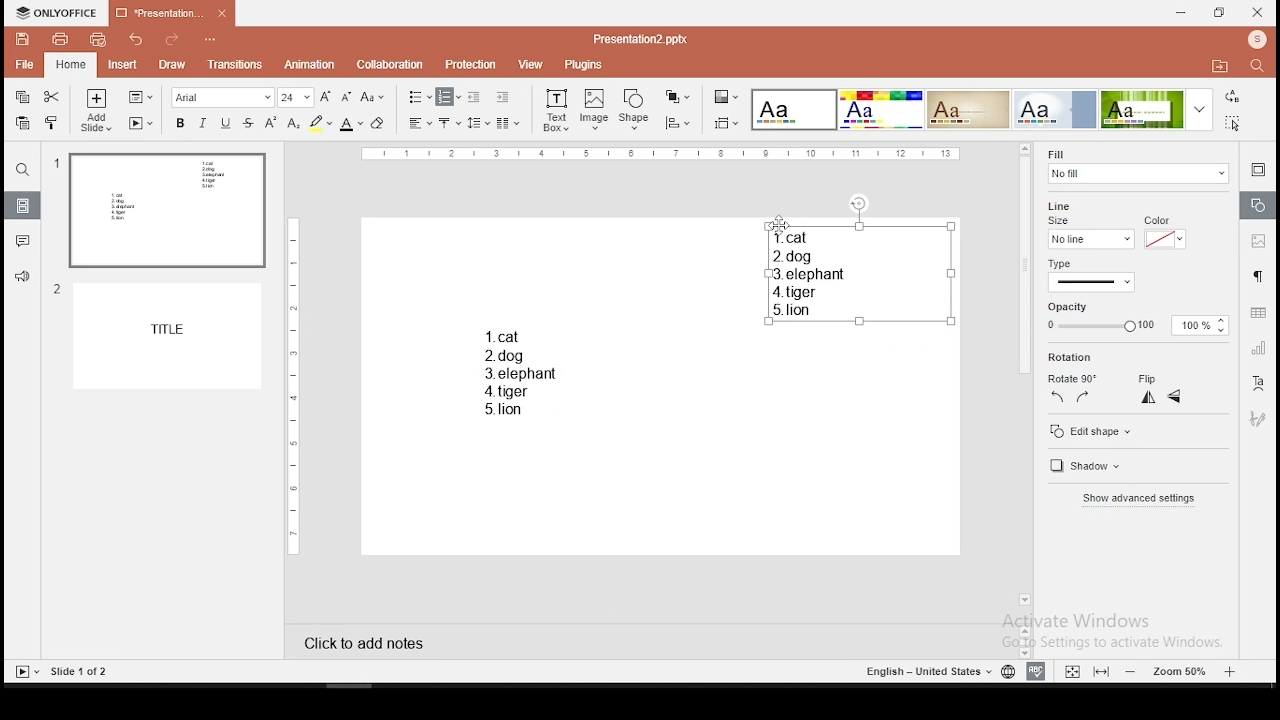 The width and height of the screenshot is (1280, 720). I want to click on icon, so click(1256, 41).